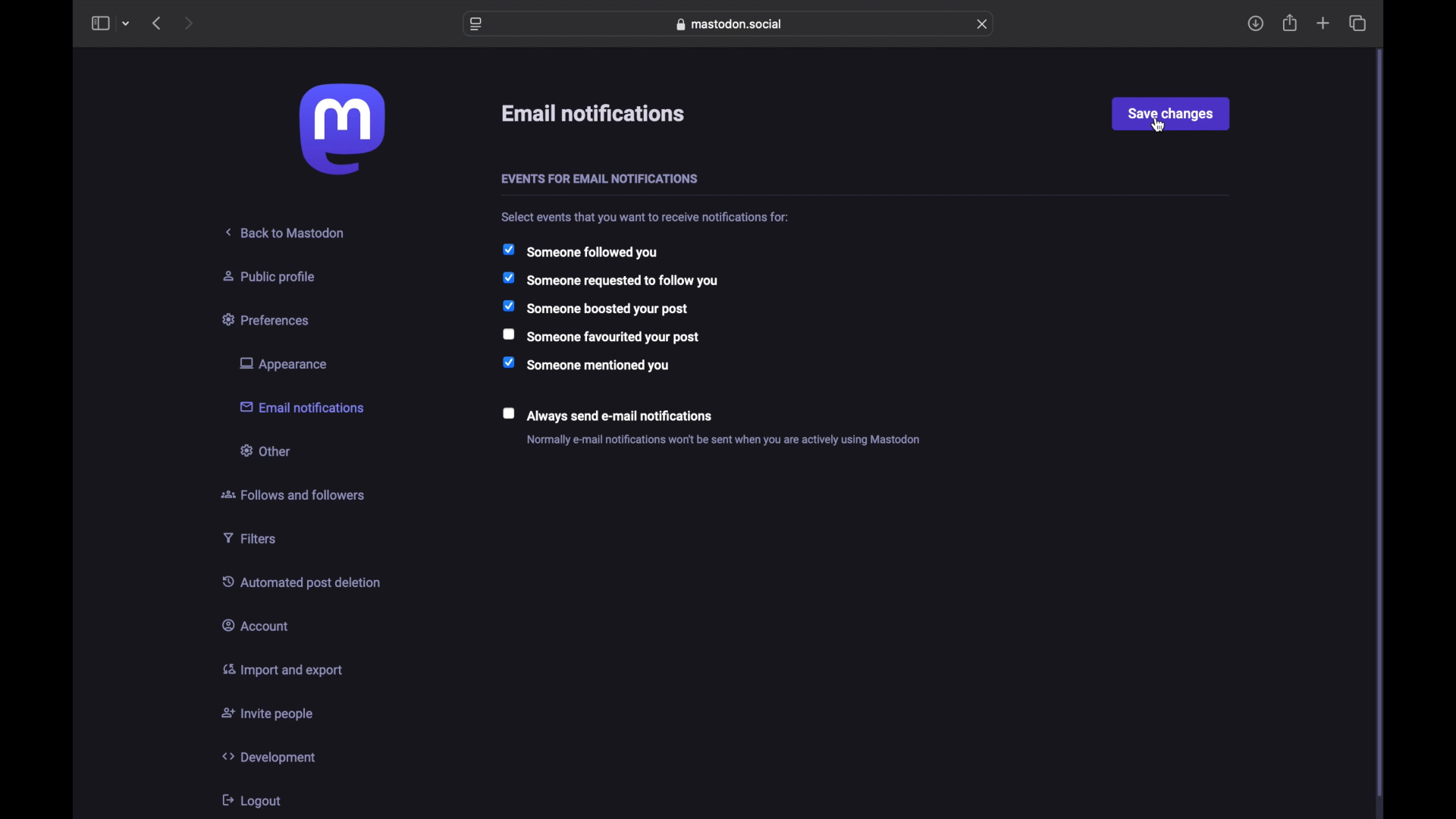  Describe the element at coordinates (268, 757) in the screenshot. I see `development` at that location.